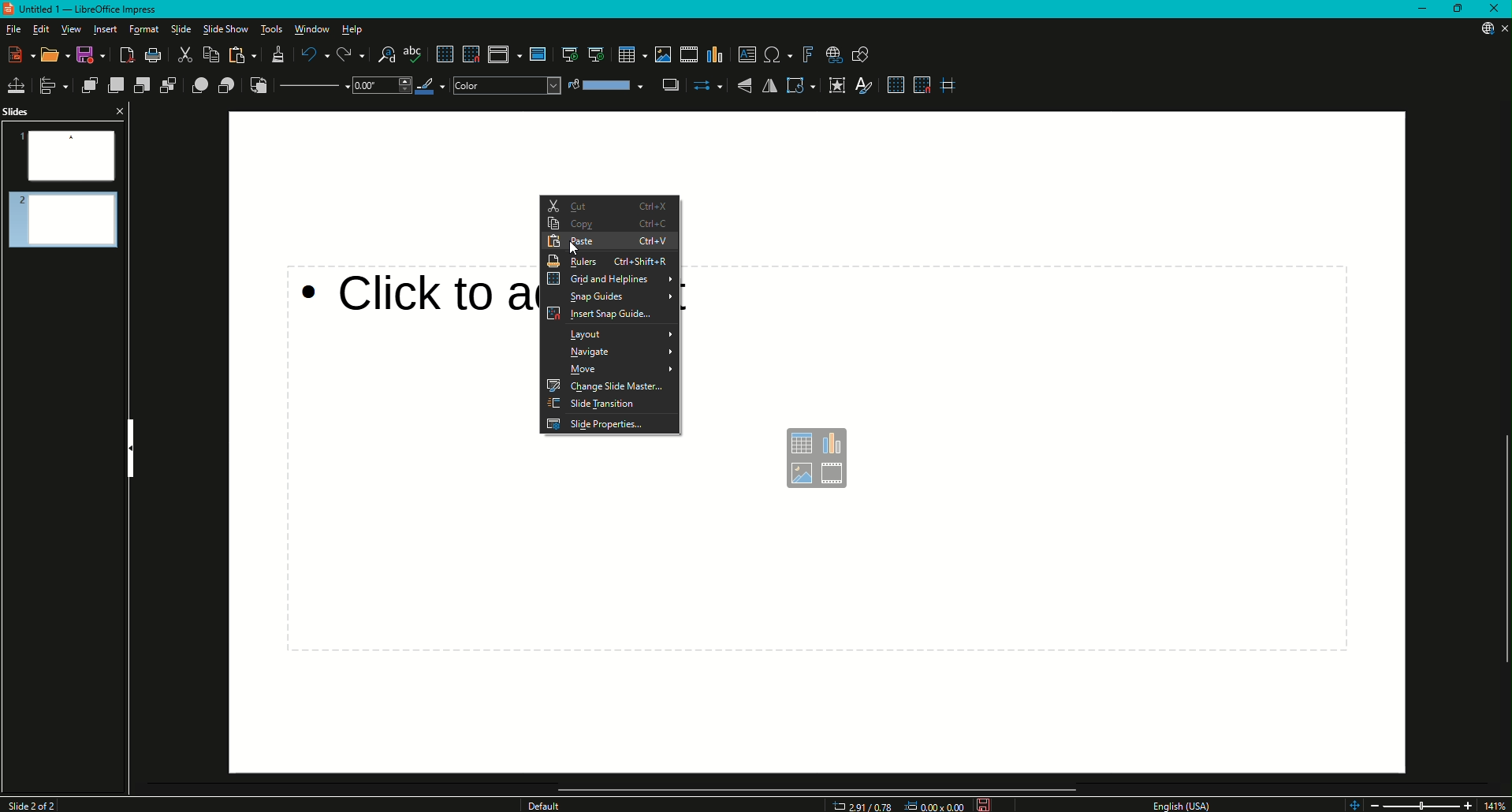 This screenshot has width=1512, height=812. Describe the element at coordinates (716, 54) in the screenshot. I see `Insert Chart` at that location.